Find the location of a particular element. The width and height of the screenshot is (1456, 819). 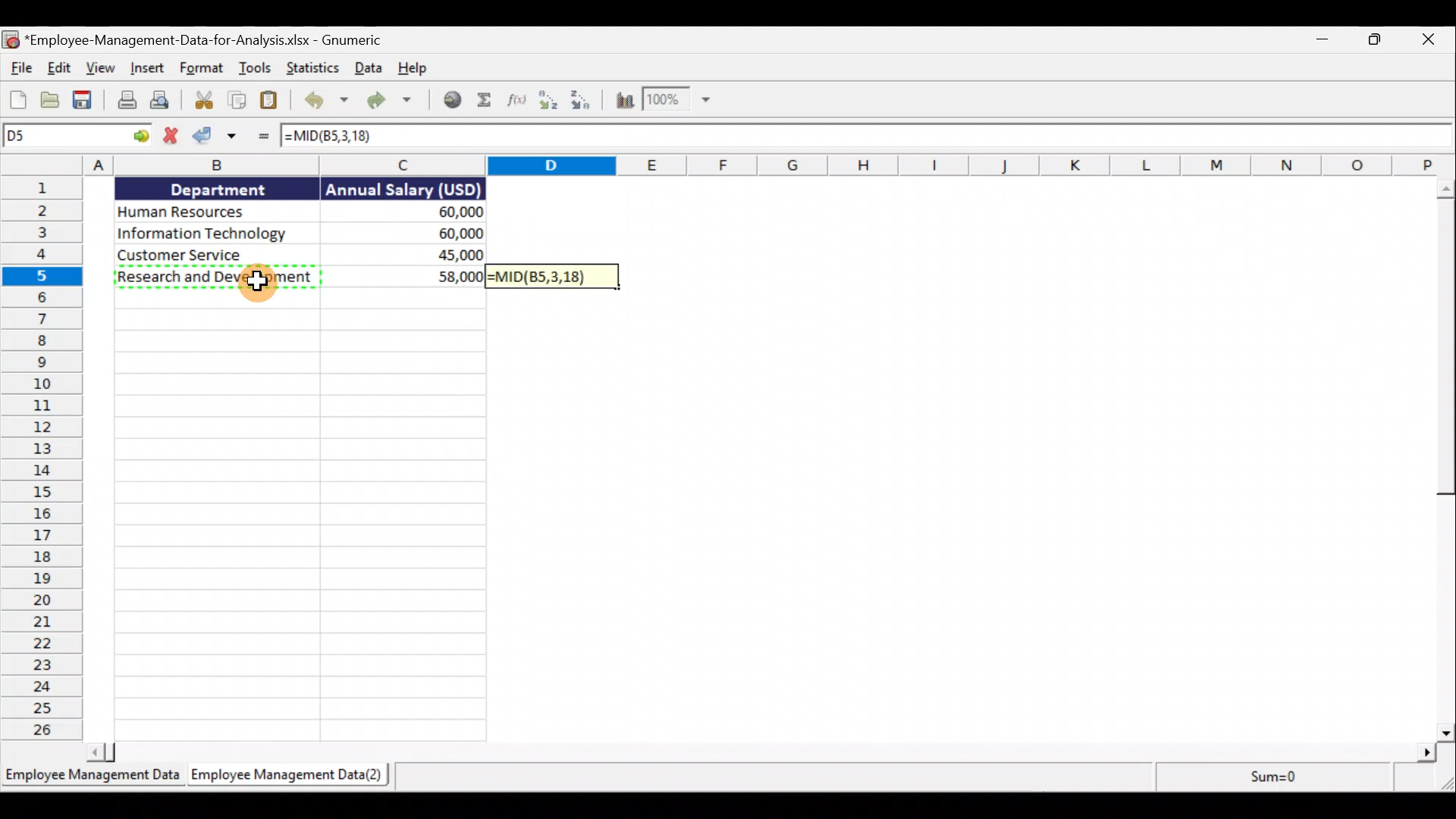

Format is located at coordinates (202, 69).